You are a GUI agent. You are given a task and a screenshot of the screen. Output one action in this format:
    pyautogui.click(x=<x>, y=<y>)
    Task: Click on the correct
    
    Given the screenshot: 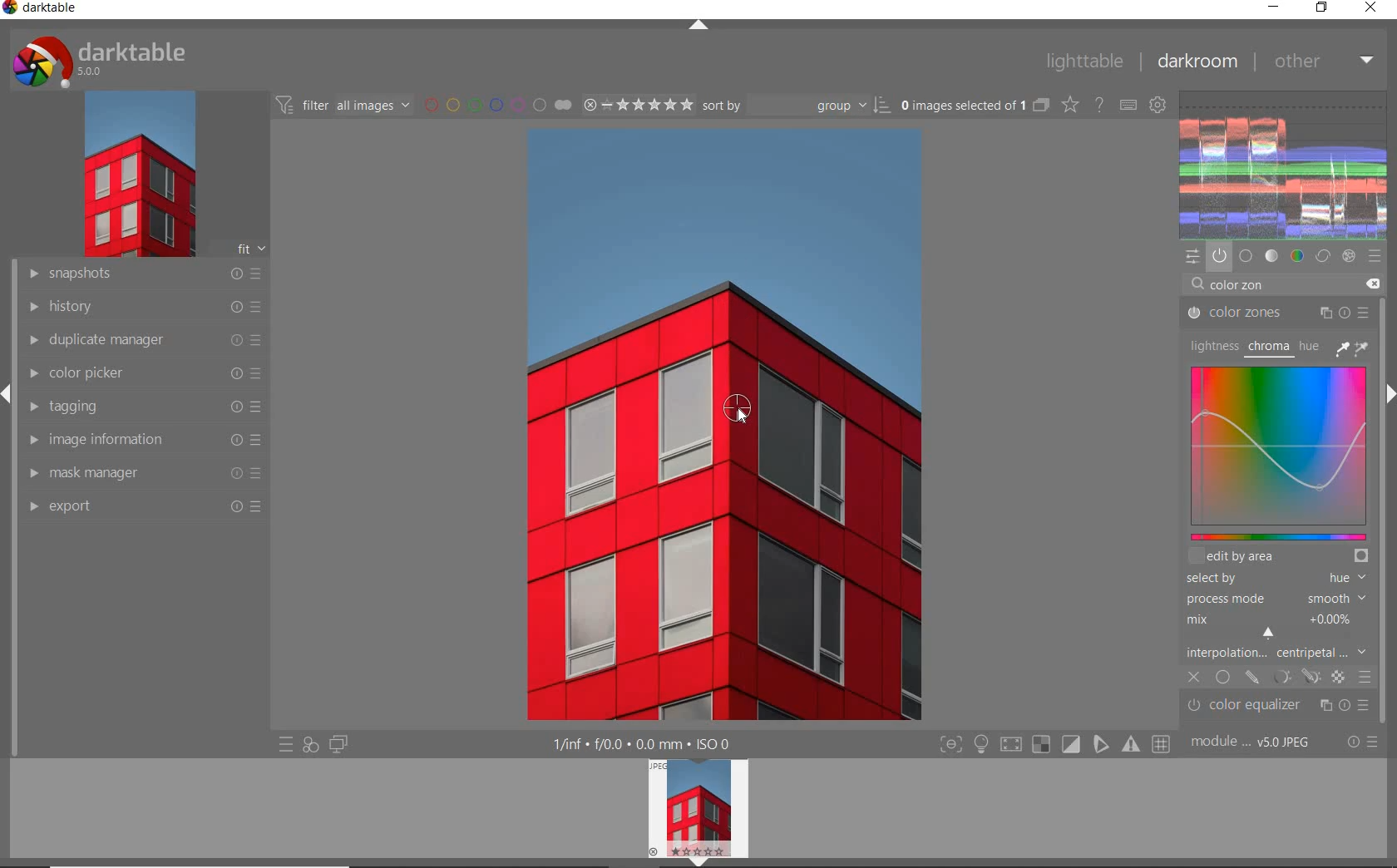 What is the action you would take?
    pyautogui.click(x=1323, y=257)
    